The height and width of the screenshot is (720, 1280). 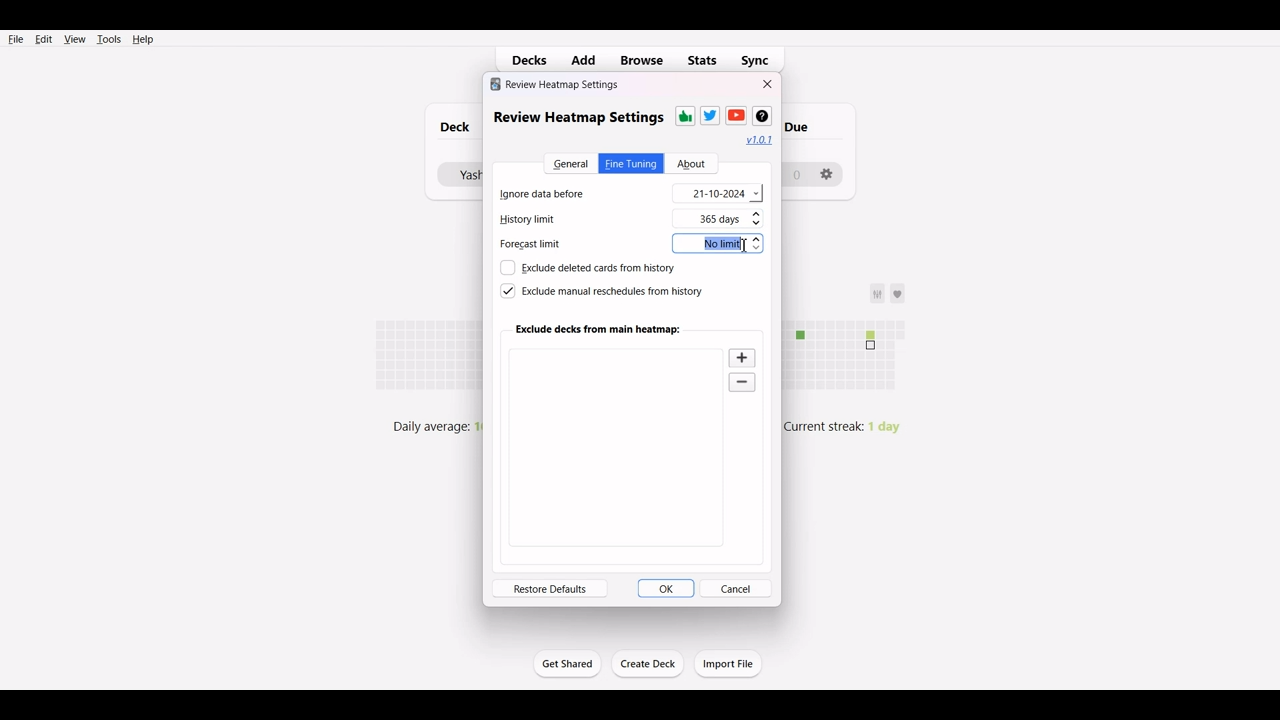 What do you see at coordinates (808, 125) in the screenshot?
I see `due` at bounding box center [808, 125].